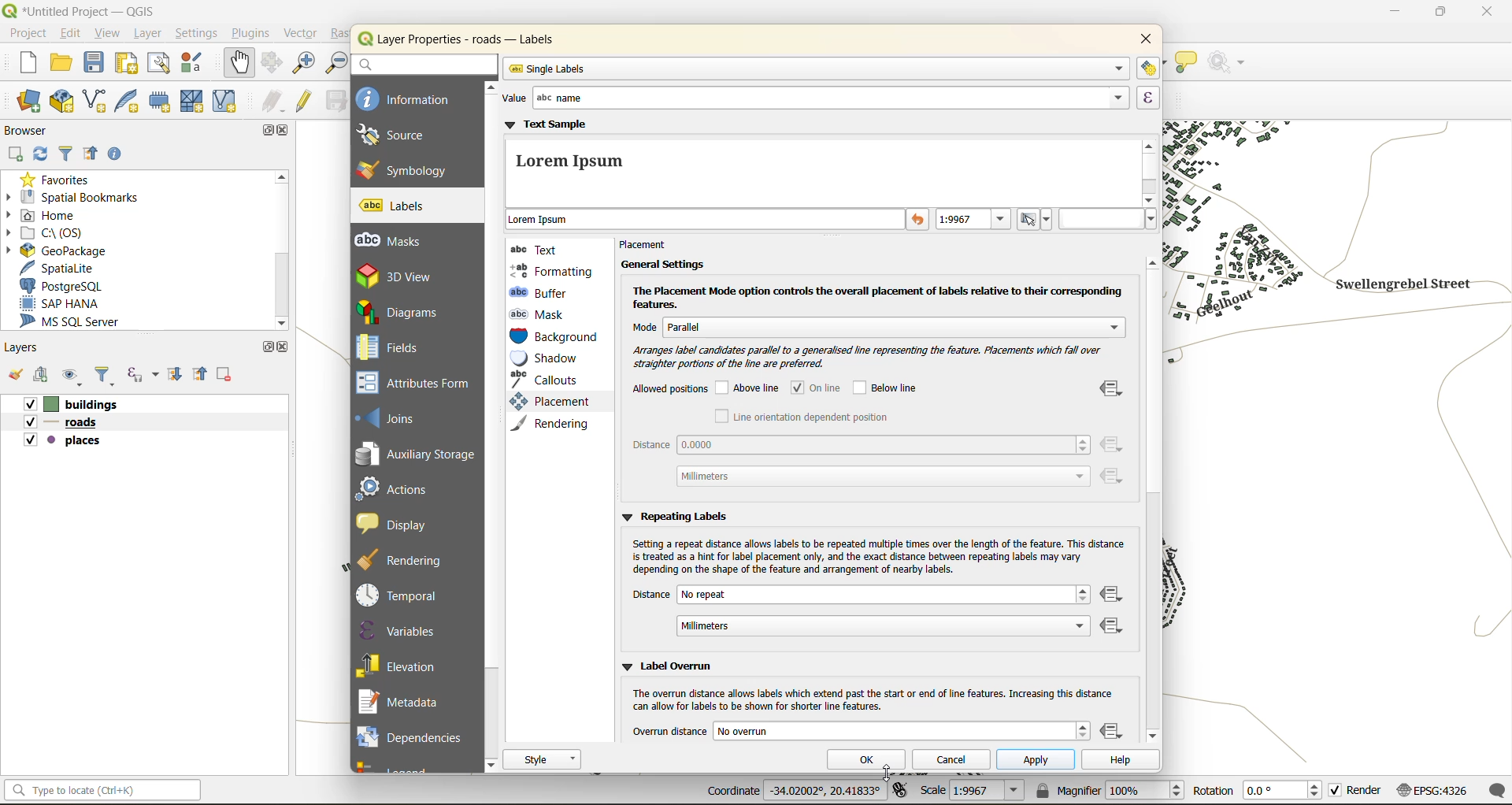 This screenshot has width=1512, height=805. I want to click on help, so click(1119, 762).